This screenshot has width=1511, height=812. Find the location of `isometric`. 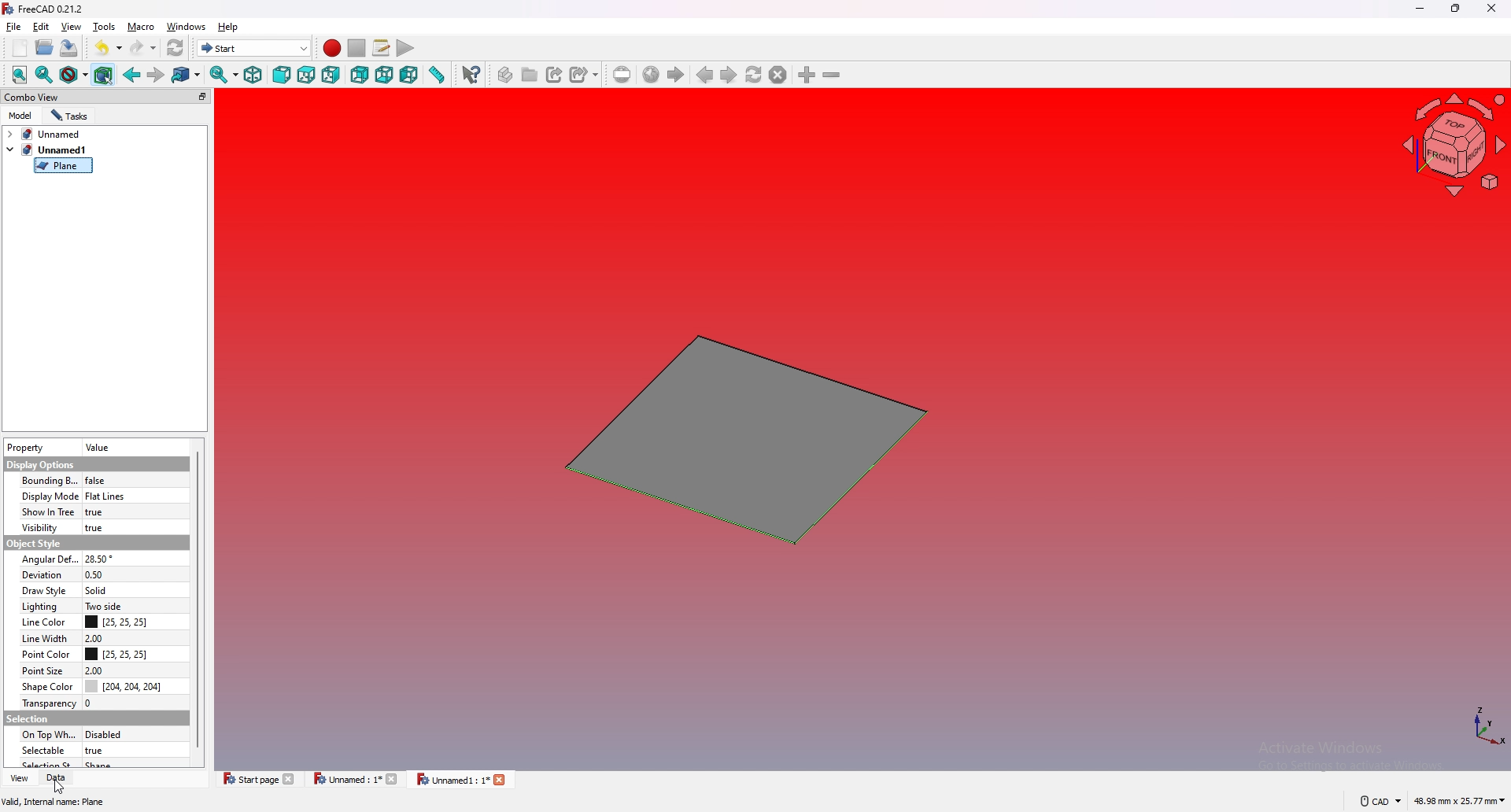

isometric is located at coordinates (253, 75).